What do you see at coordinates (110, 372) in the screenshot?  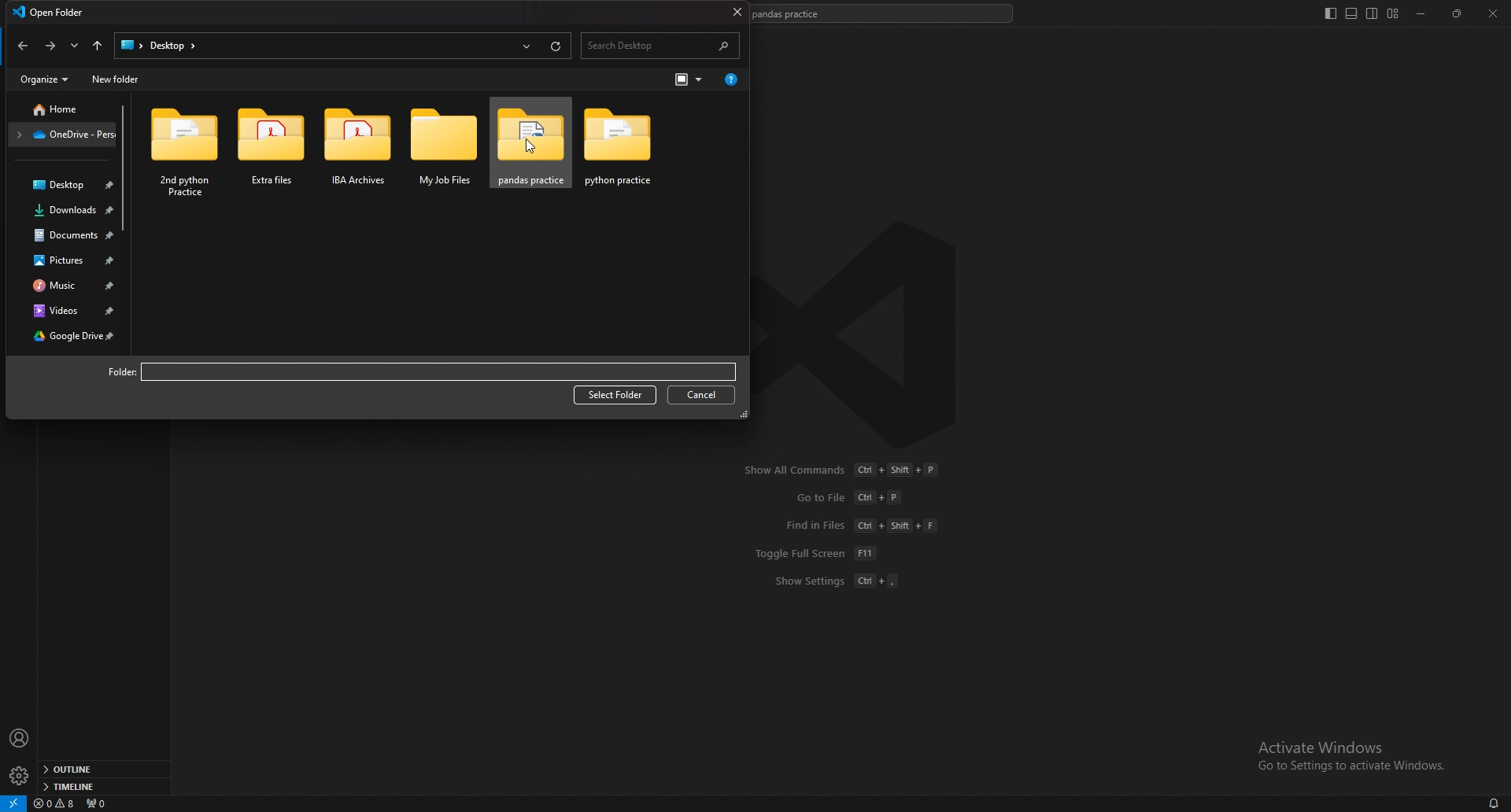 I see `folder` at bounding box center [110, 372].